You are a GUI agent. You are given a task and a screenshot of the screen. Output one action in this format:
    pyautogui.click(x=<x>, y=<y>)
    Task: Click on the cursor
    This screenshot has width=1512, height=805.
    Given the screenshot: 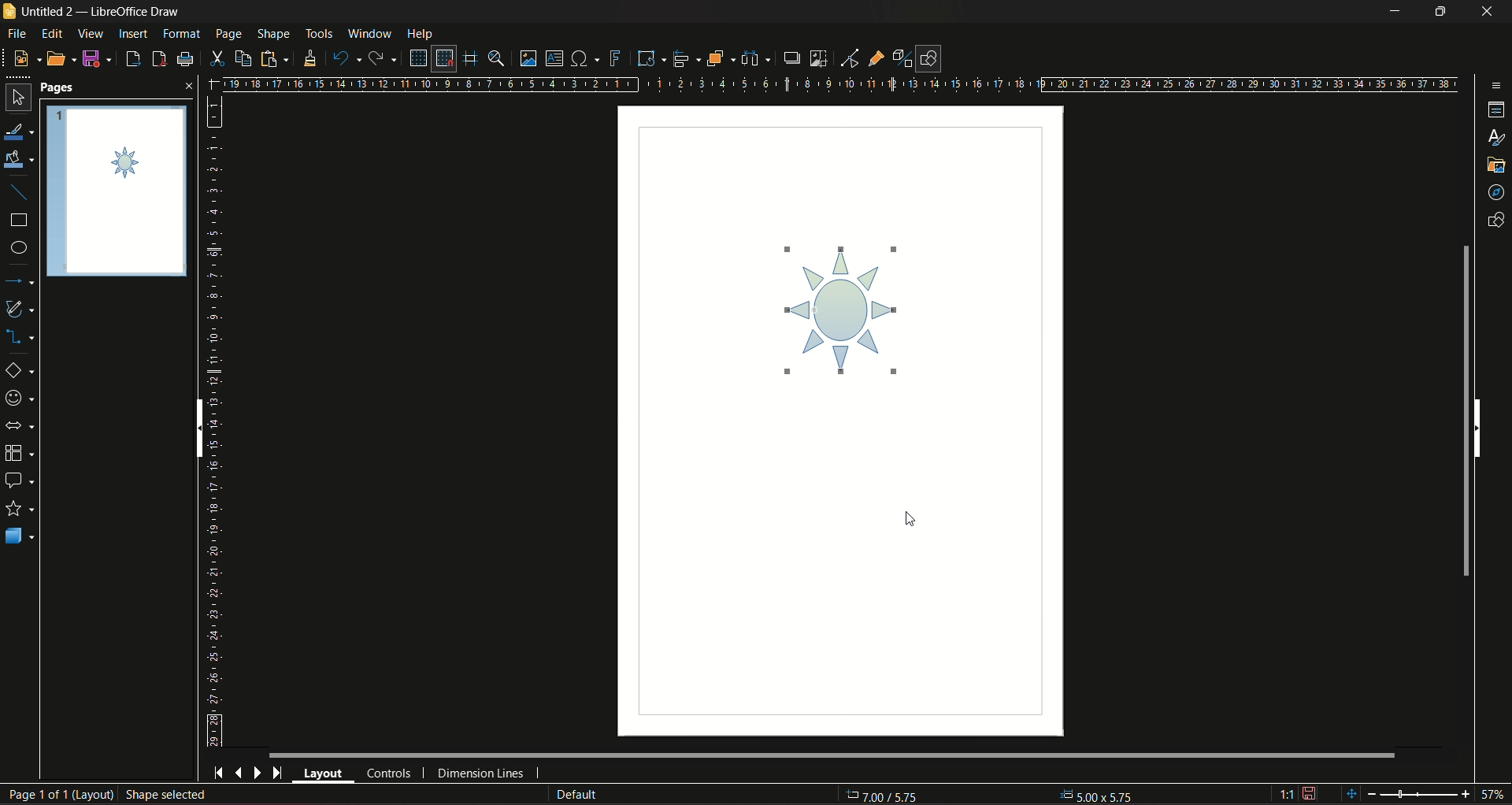 What is the action you would take?
    pyautogui.click(x=905, y=517)
    